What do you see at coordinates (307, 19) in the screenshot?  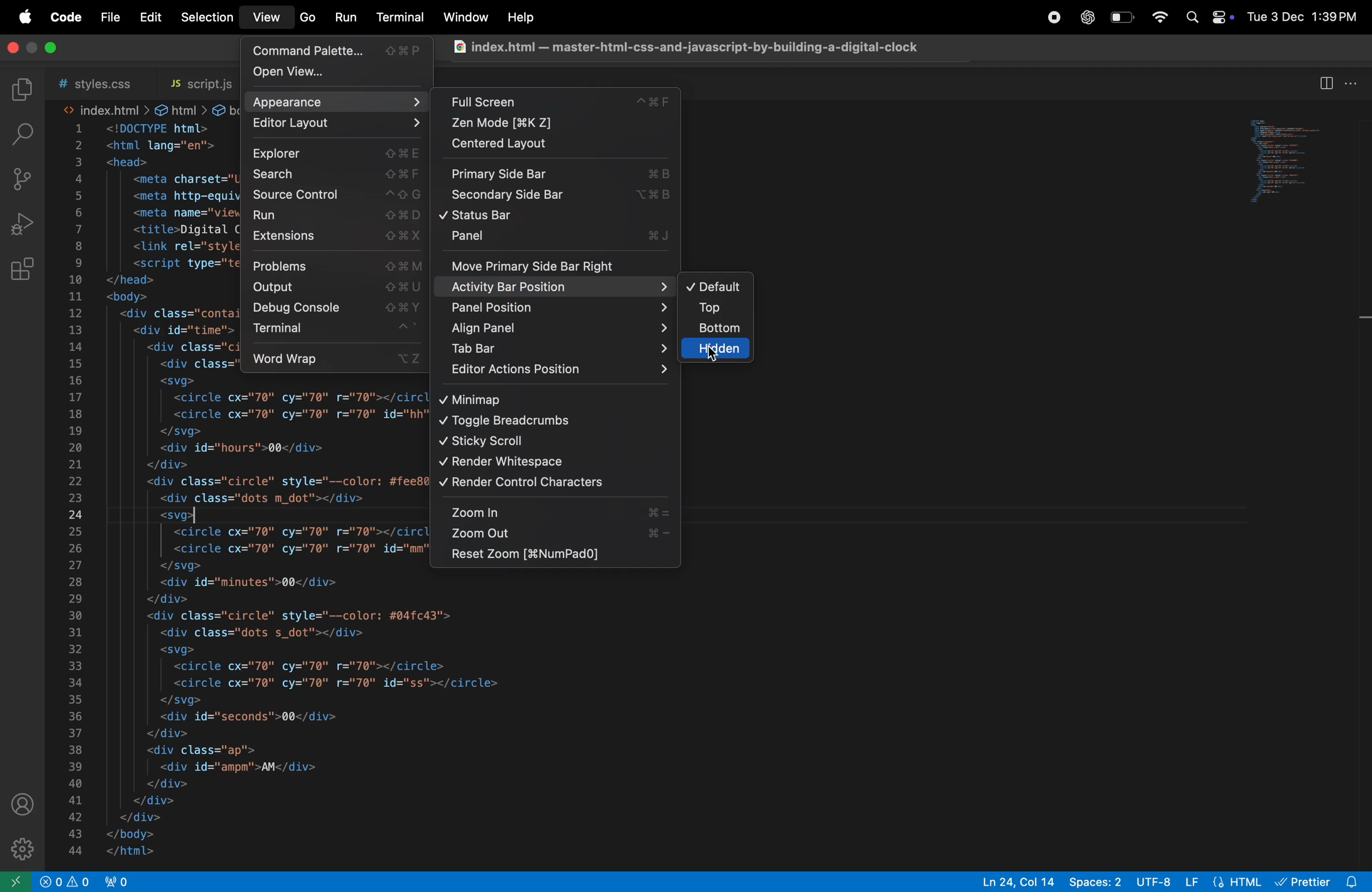 I see `go` at bounding box center [307, 19].